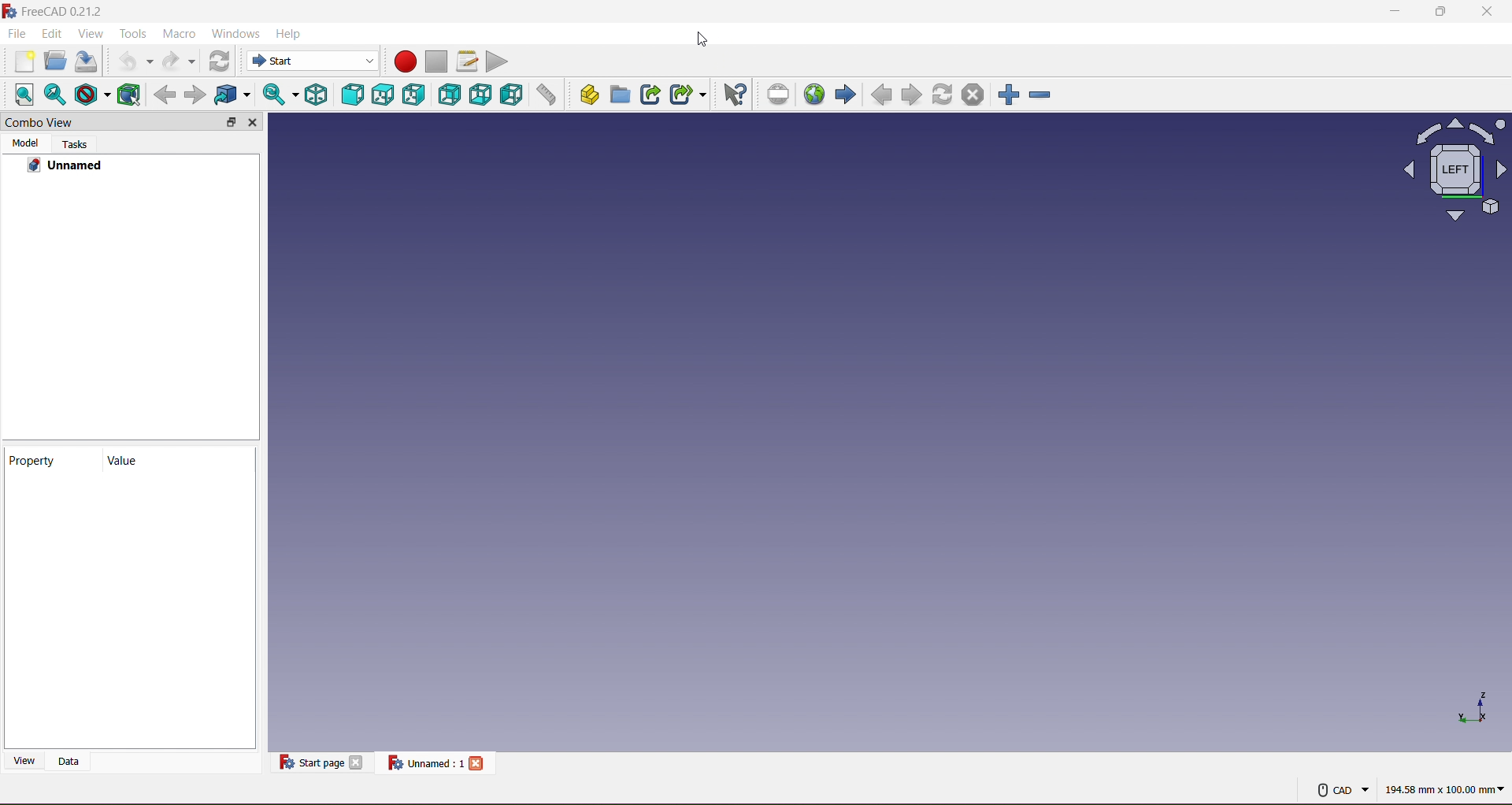  I want to click on Rear, so click(449, 95).